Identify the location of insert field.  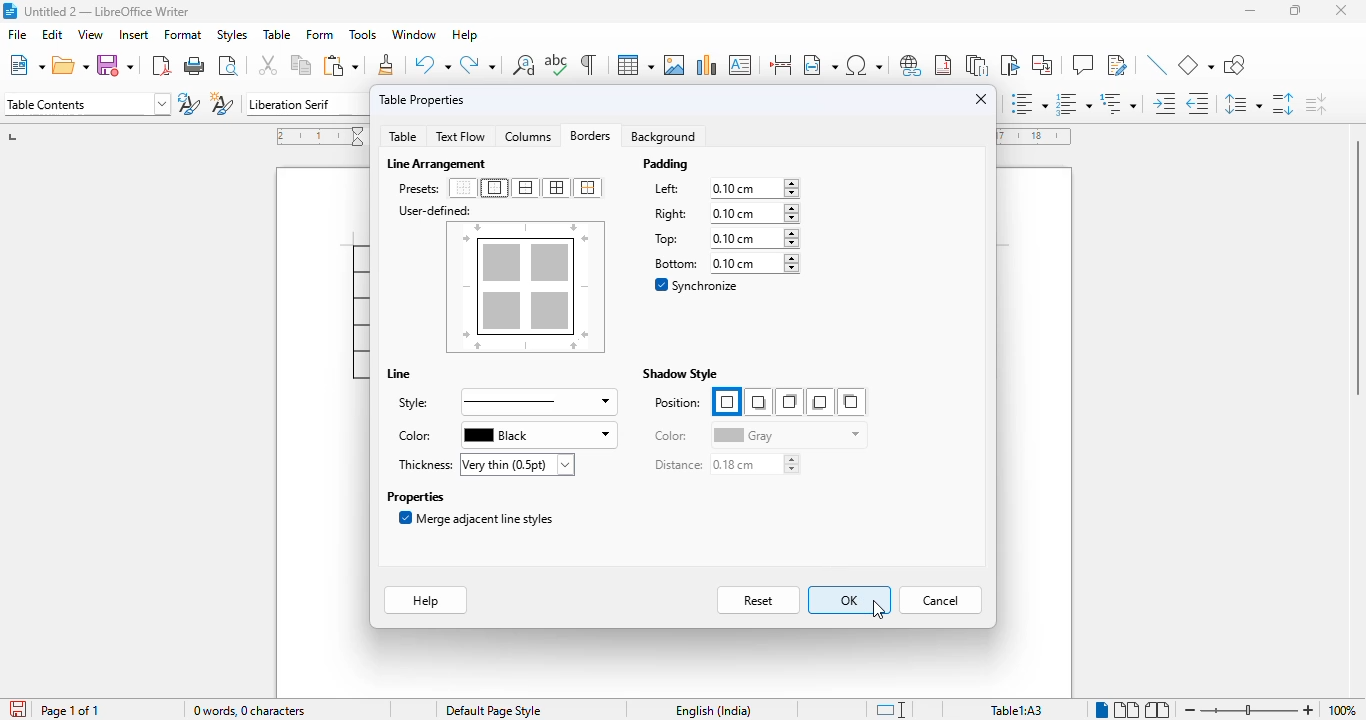
(820, 64).